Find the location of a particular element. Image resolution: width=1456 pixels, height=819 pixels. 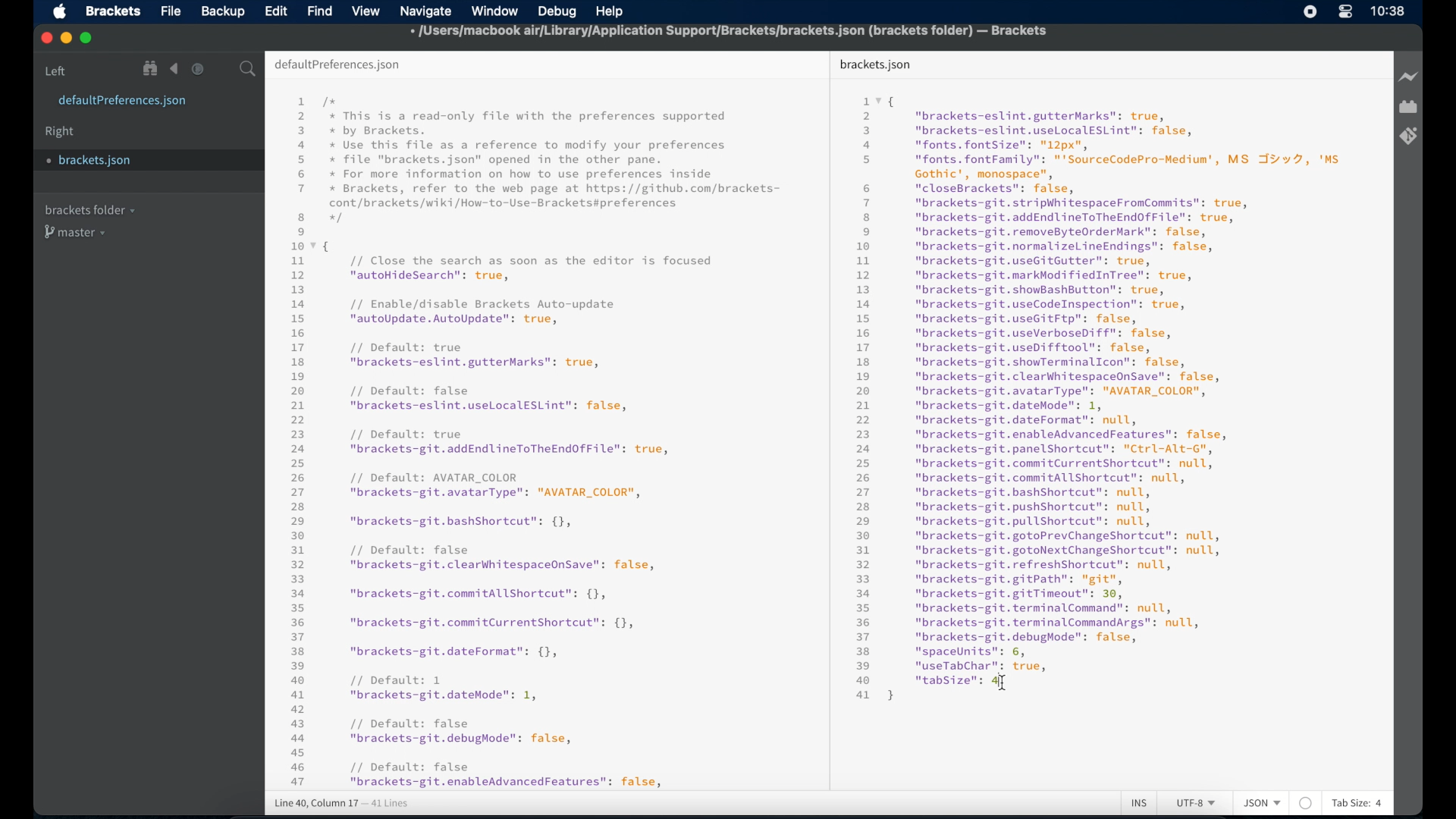

brackets.json is located at coordinates (875, 65).